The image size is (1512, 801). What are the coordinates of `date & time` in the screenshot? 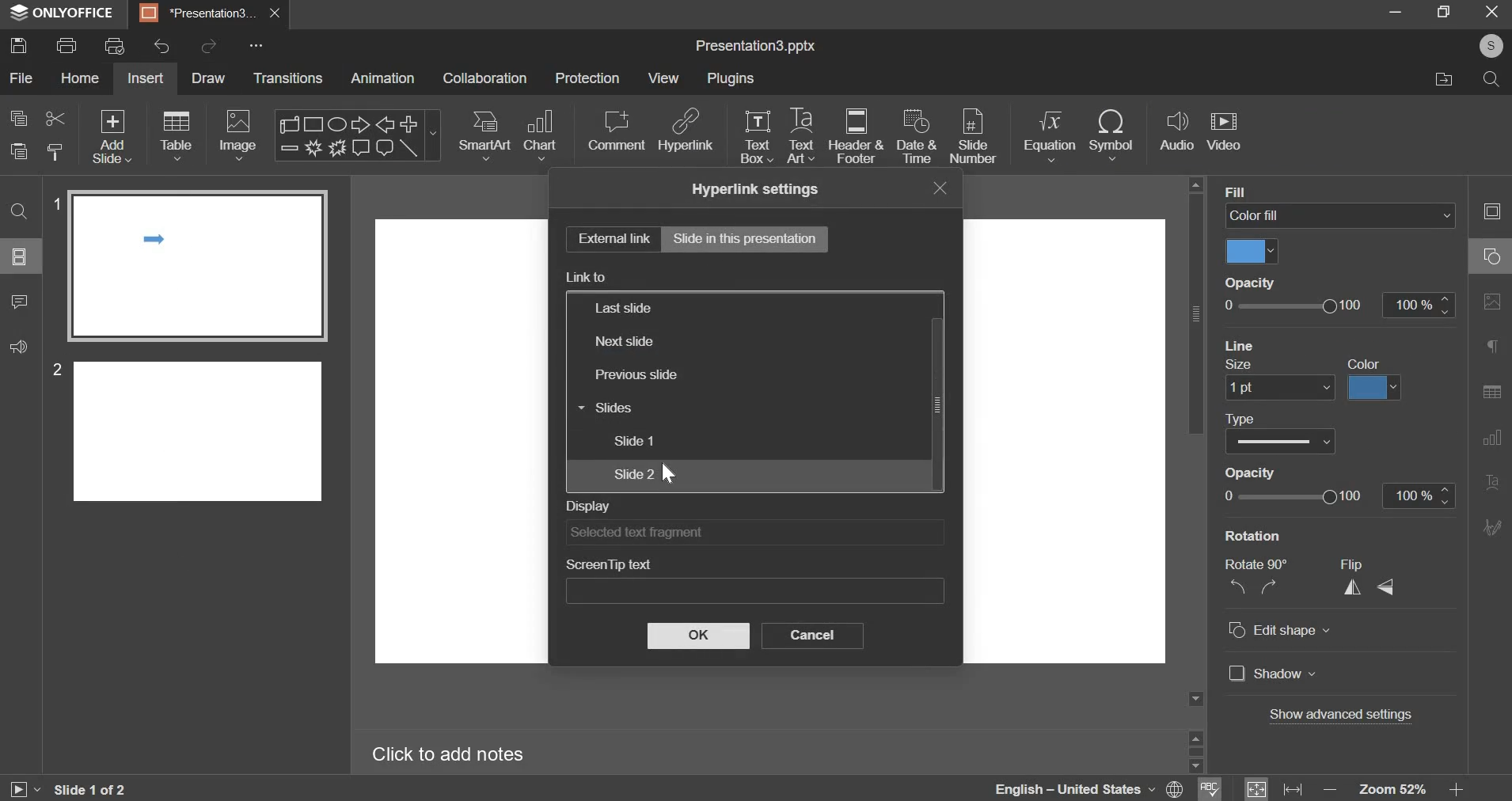 It's located at (917, 135).